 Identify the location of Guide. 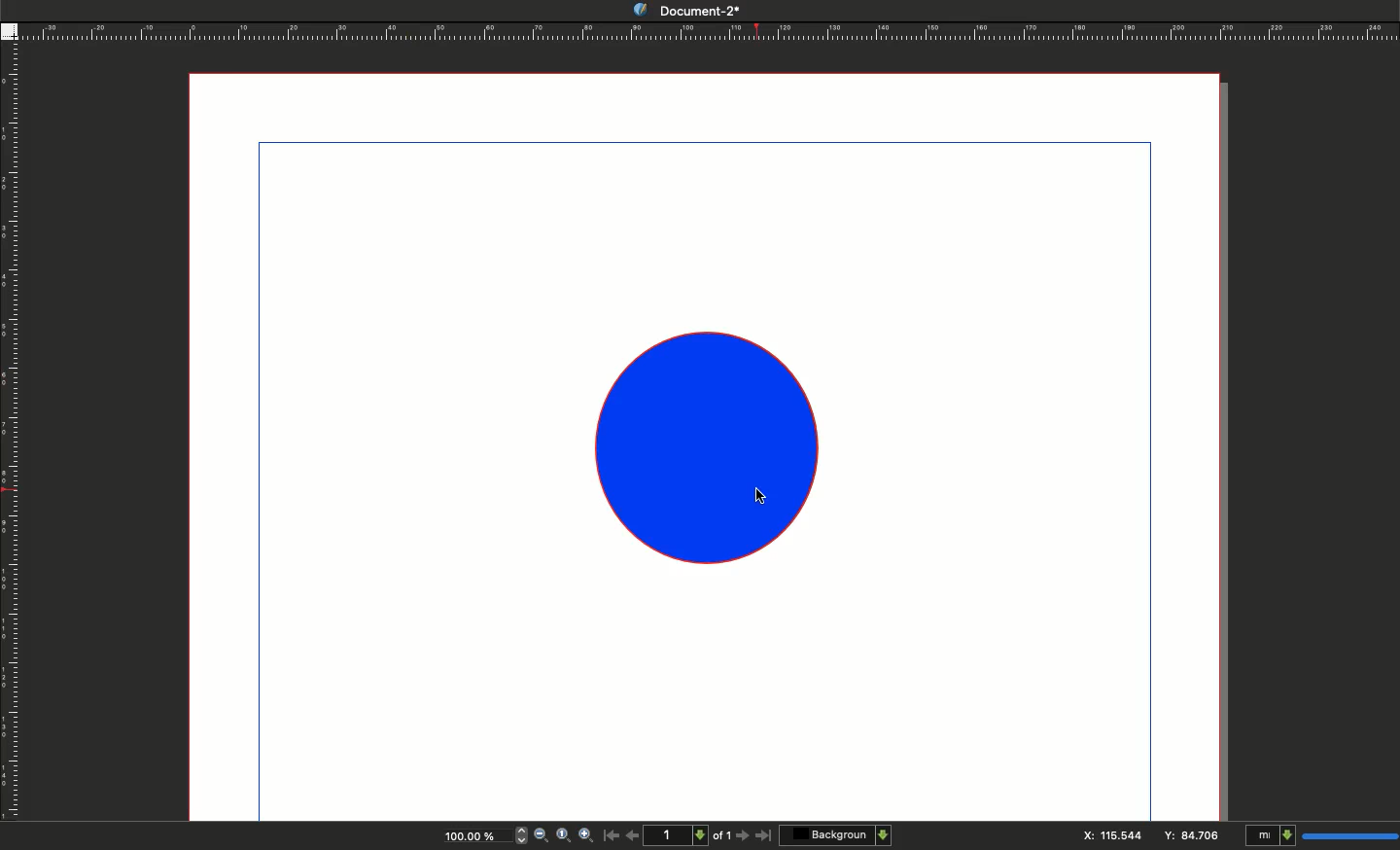
(9, 31).